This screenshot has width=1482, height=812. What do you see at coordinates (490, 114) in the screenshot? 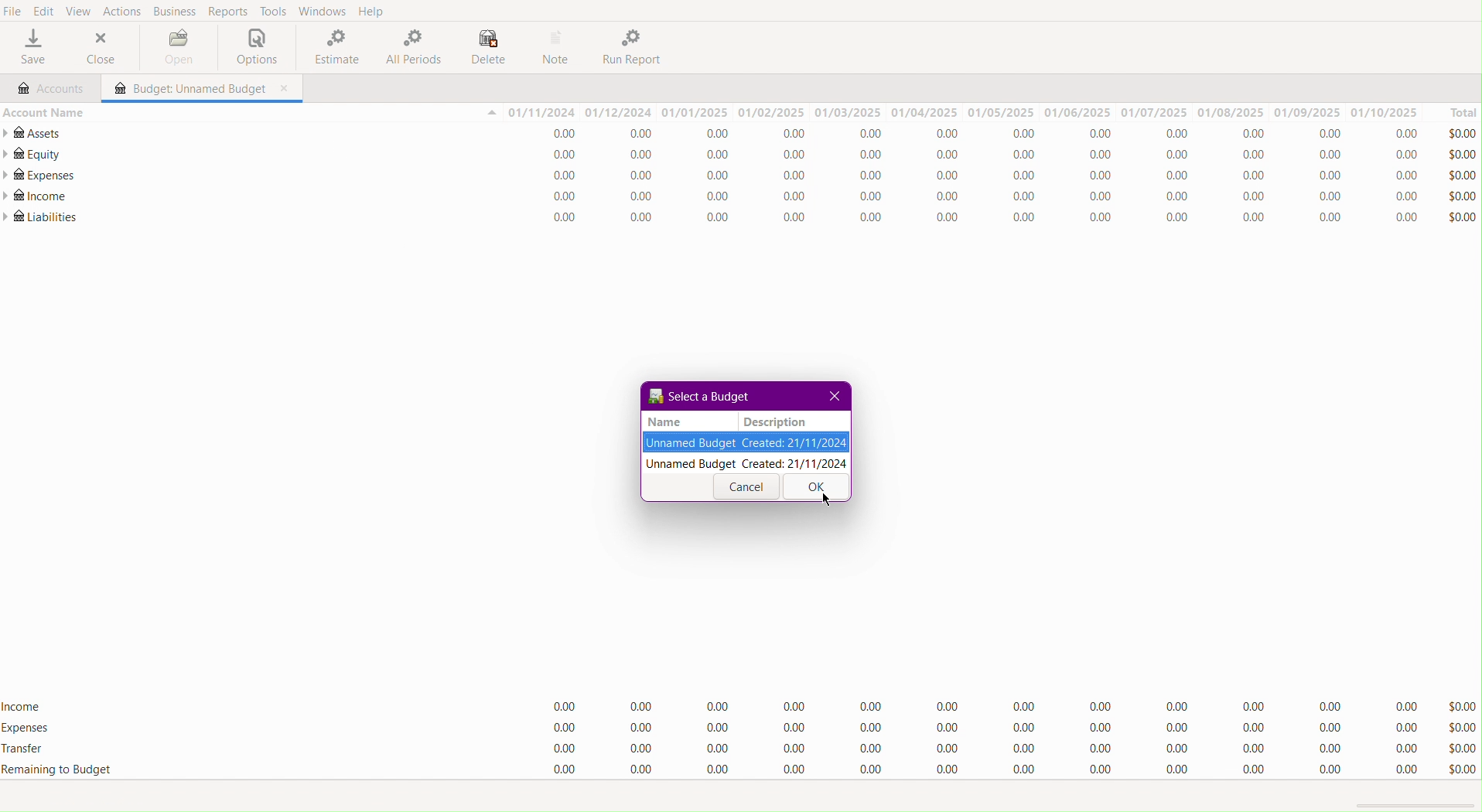
I see `Collapse or expand` at bounding box center [490, 114].